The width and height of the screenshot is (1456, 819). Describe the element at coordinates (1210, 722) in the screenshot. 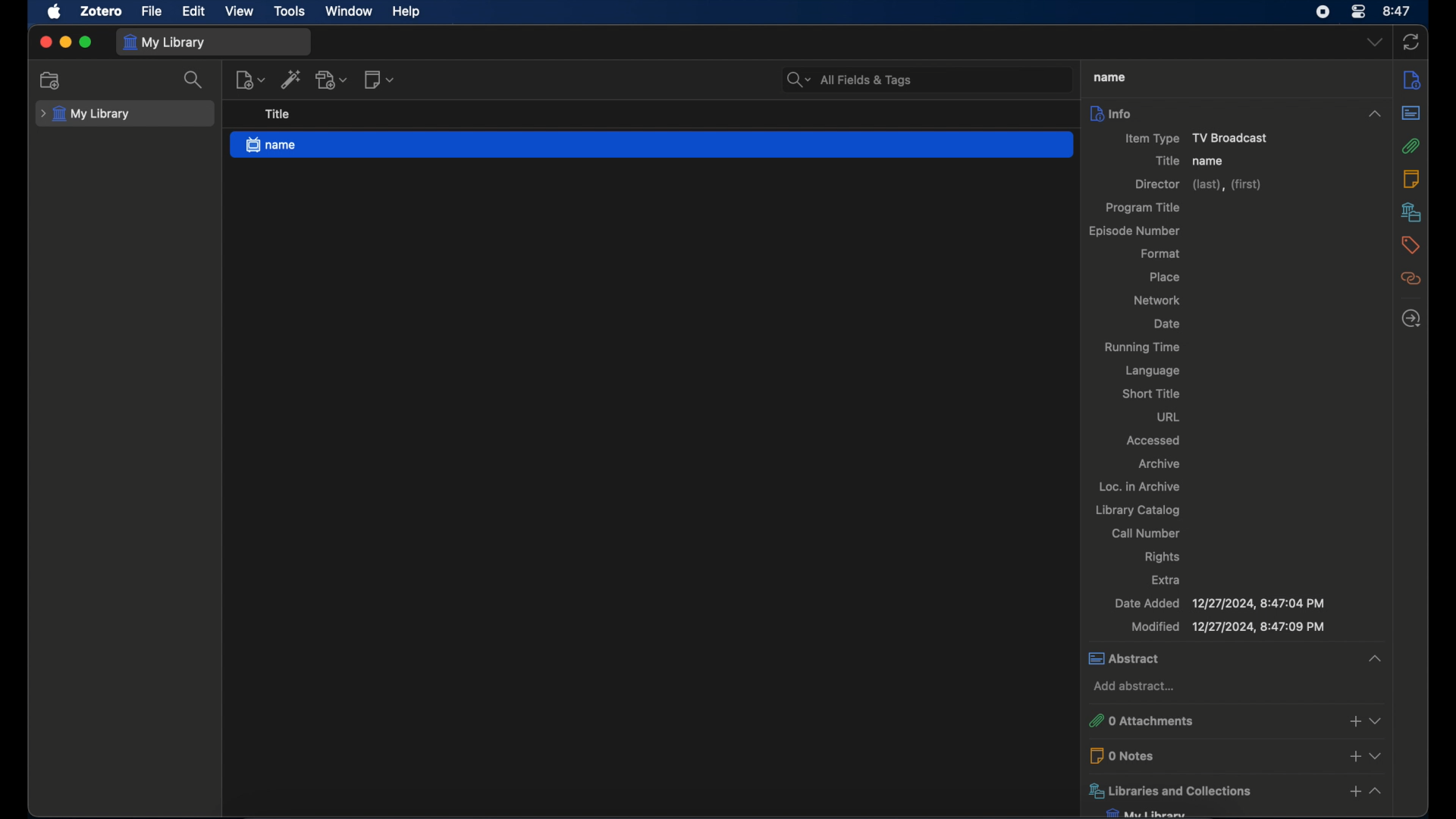

I see `0 attachments` at that location.